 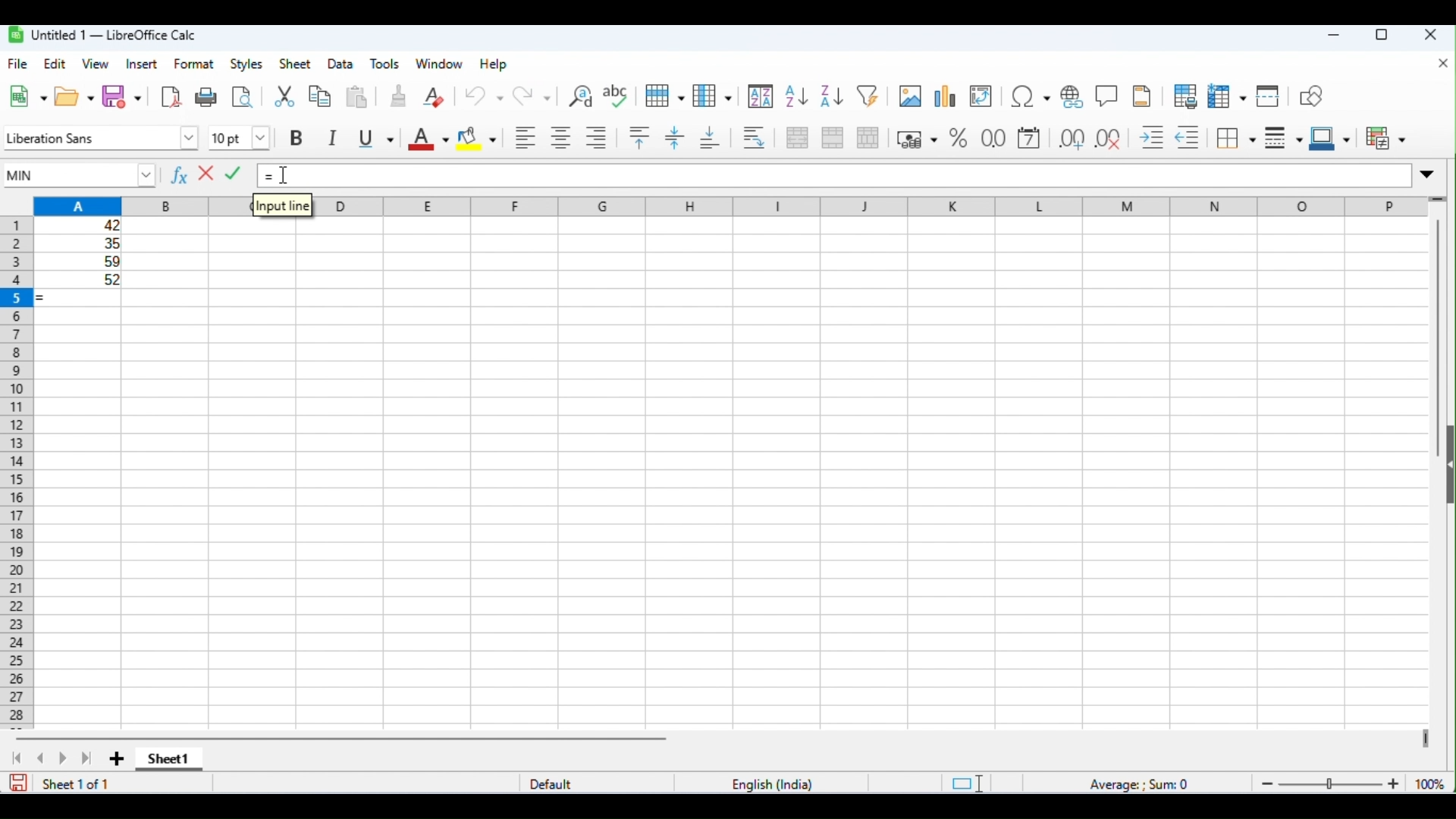 What do you see at coordinates (83, 176) in the screenshot?
I see `MIN function` at bounding box center [83, 176].